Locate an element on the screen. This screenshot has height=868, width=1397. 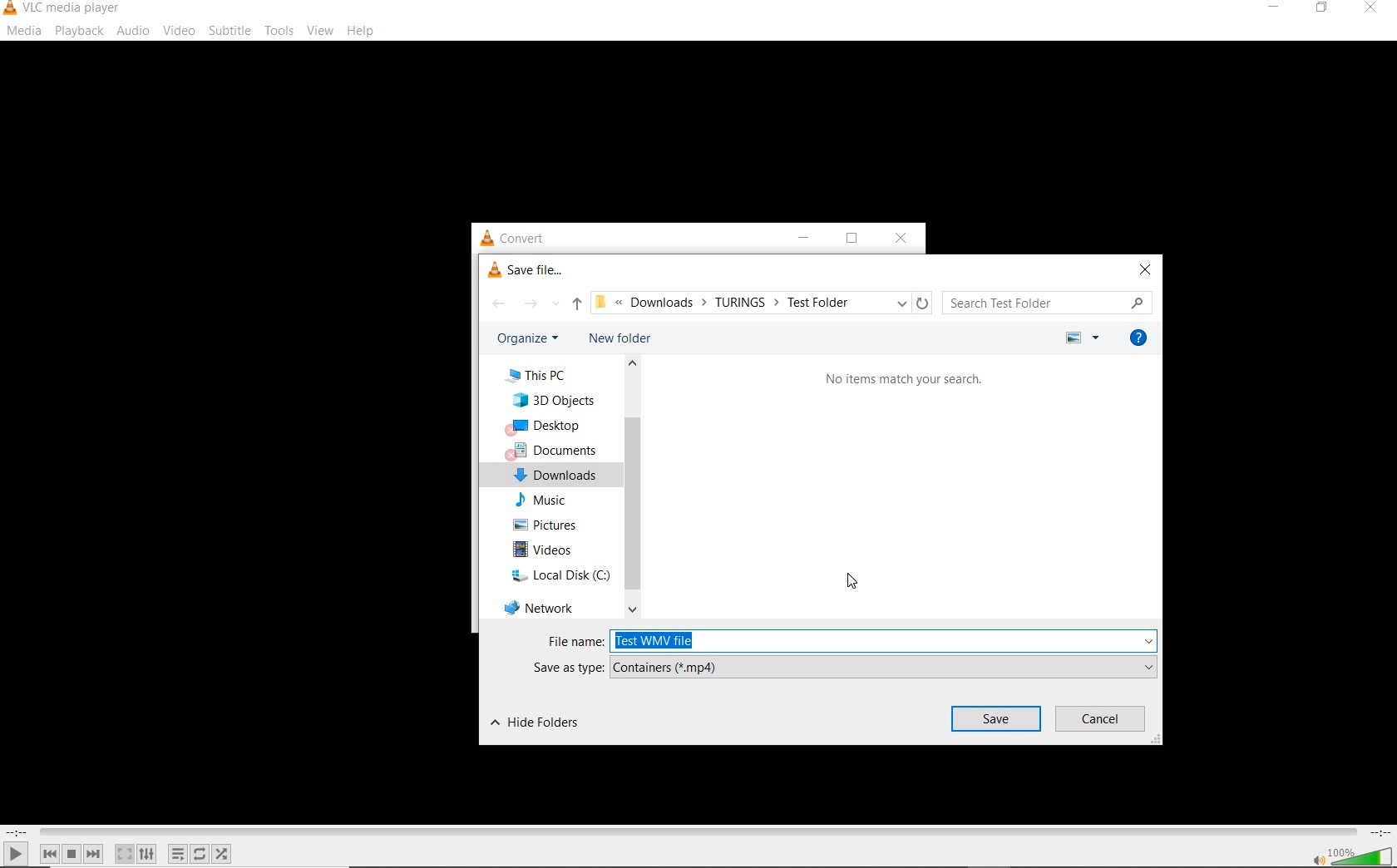
save is located at coordinates (996, 718).